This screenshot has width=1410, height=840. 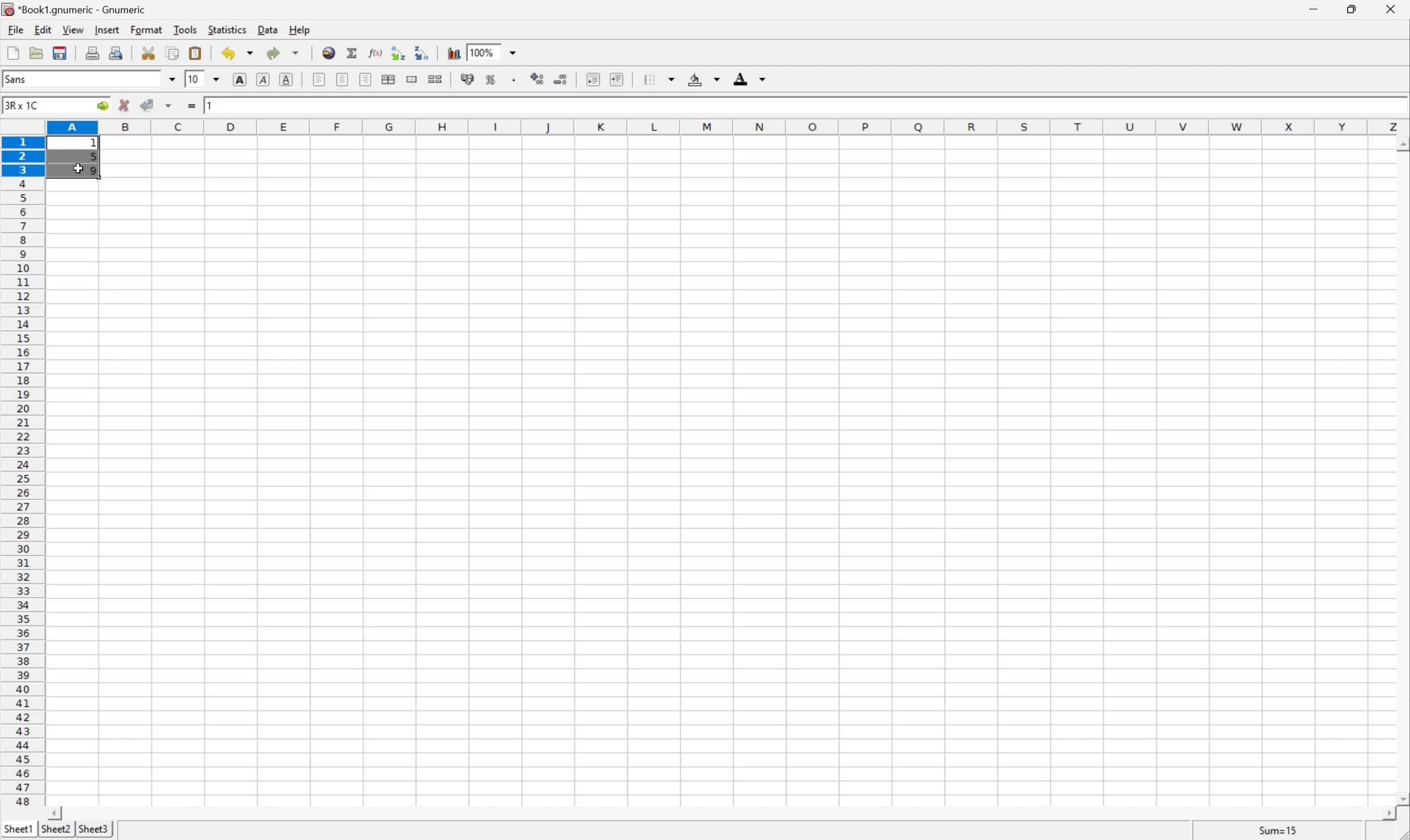 What do you see at coordinates (516, 52) in the screenshot?
I see `drop down` at bounding box center [516, 52].